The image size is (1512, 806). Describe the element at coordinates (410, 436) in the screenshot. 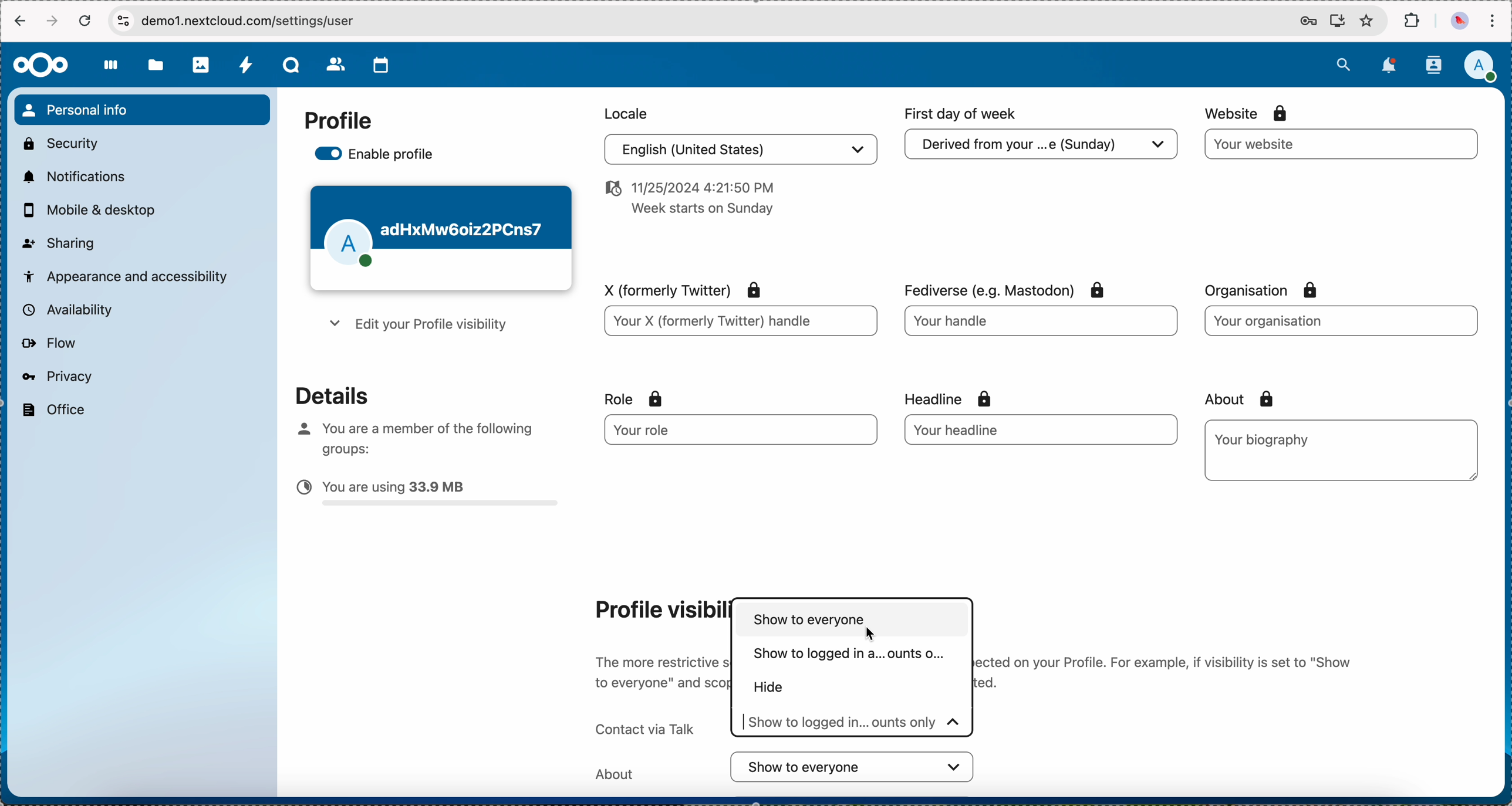

I see `you are member of the following groups` at that location.